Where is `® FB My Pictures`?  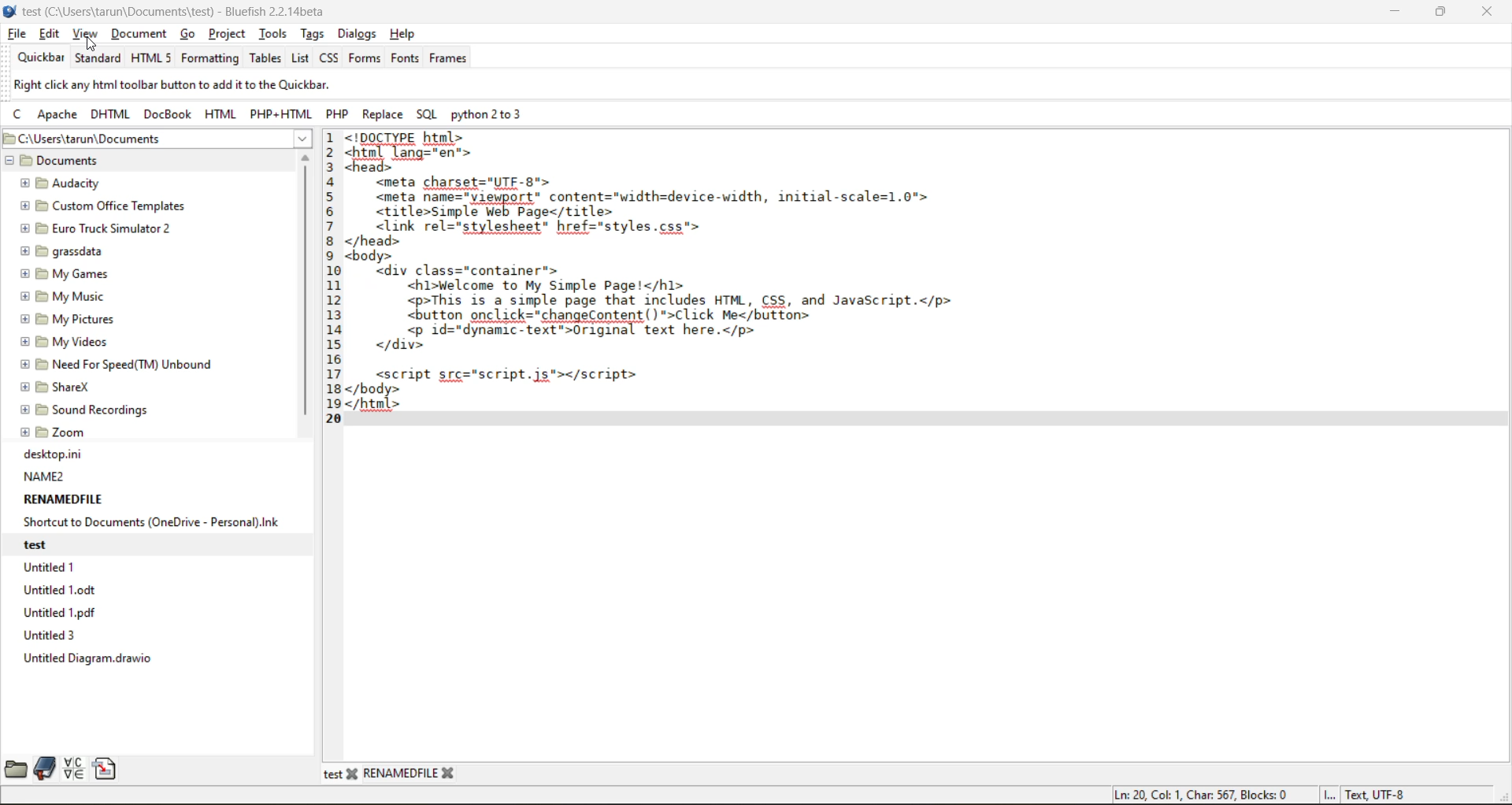 ® FB My Pictures is located at coordinates (66, 319).